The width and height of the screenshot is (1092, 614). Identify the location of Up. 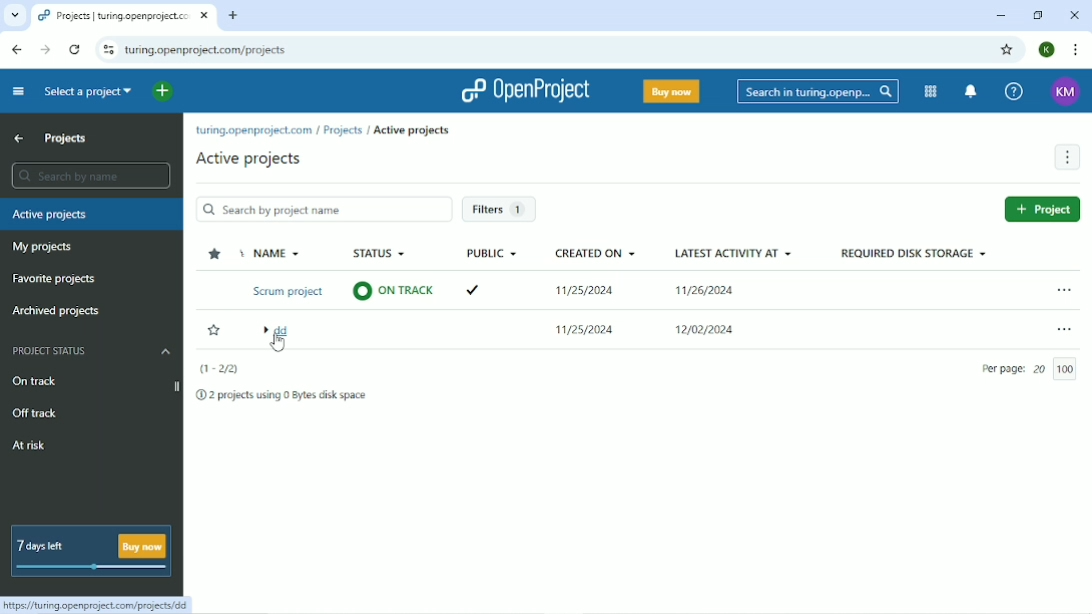
(19, 139).